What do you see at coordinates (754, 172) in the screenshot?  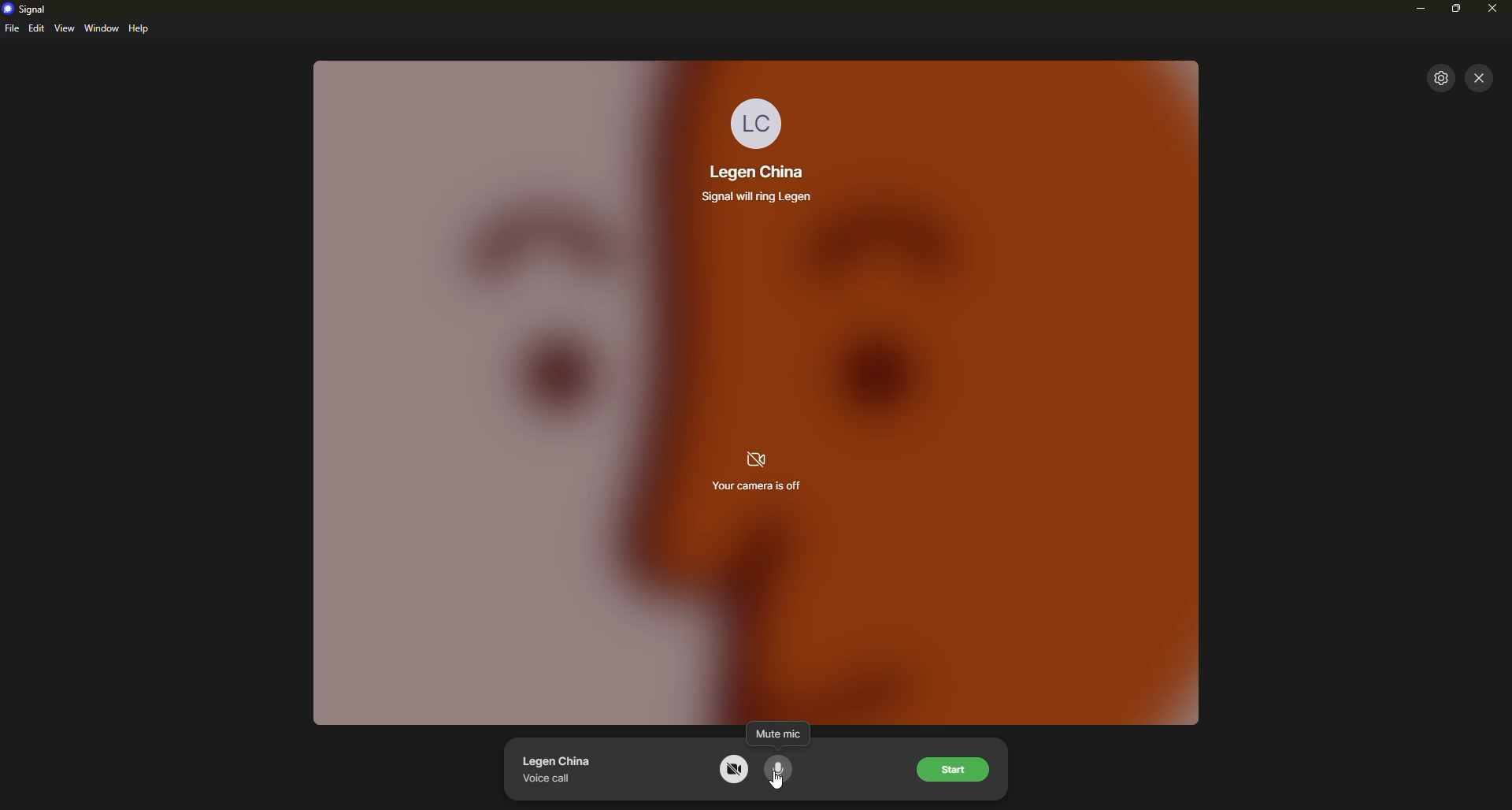 I see `contact` at bounding box center [754, 172].